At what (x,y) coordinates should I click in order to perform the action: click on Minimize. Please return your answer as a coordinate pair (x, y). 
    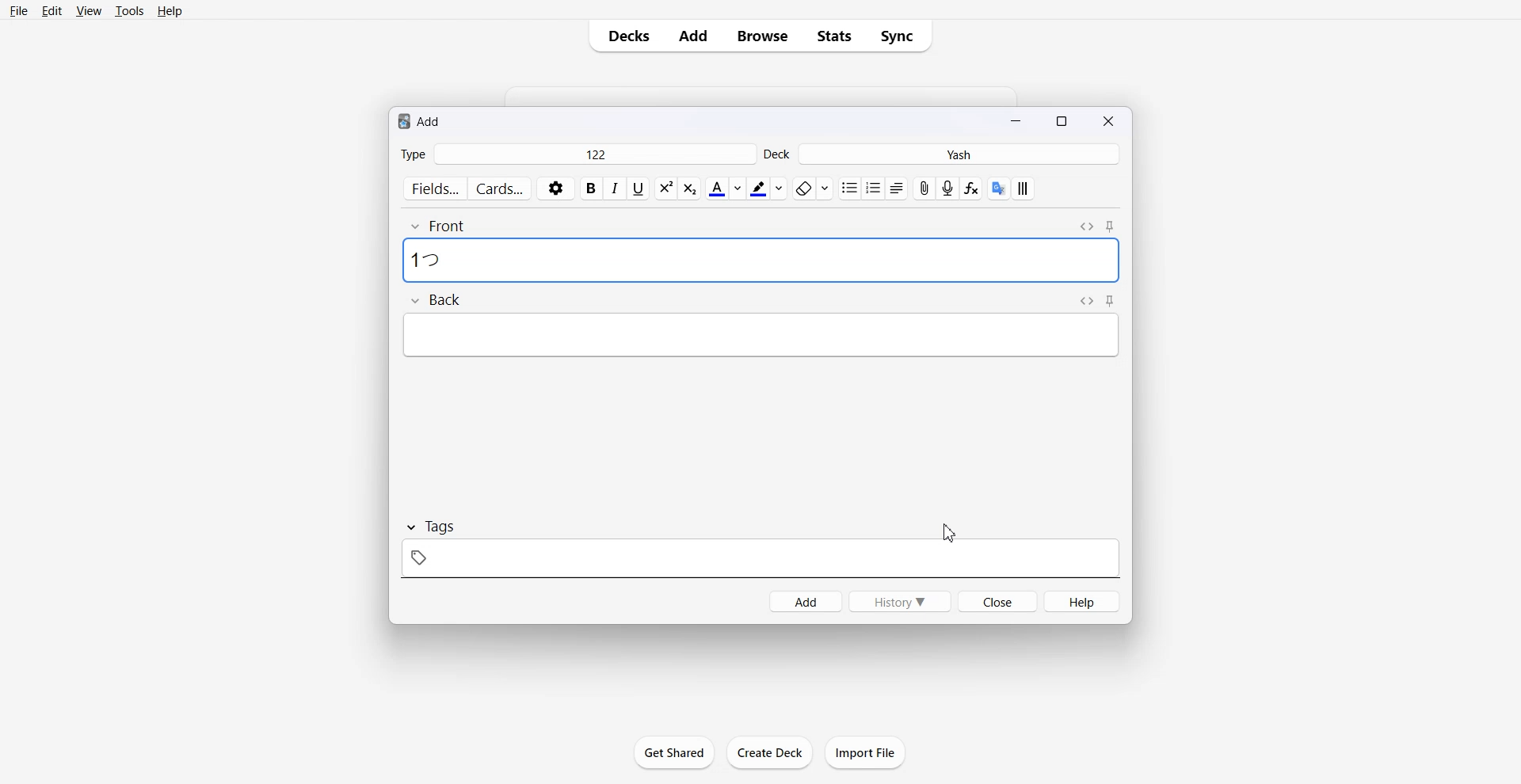
    Looking at the image, I should click on (1018, 120).